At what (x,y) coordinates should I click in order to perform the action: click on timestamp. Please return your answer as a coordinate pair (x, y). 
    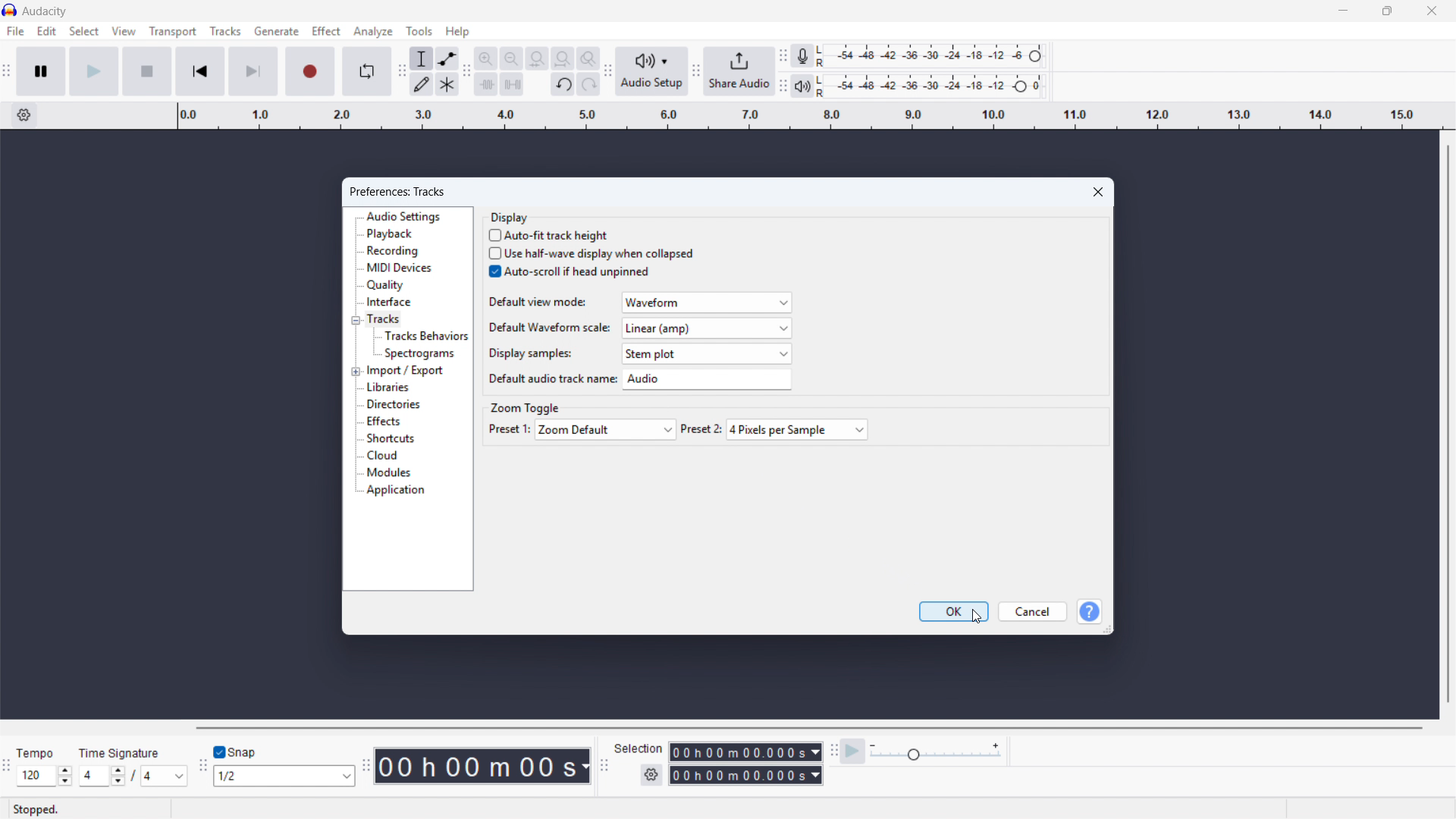
    Looking at the image, I should click on (483, 765).